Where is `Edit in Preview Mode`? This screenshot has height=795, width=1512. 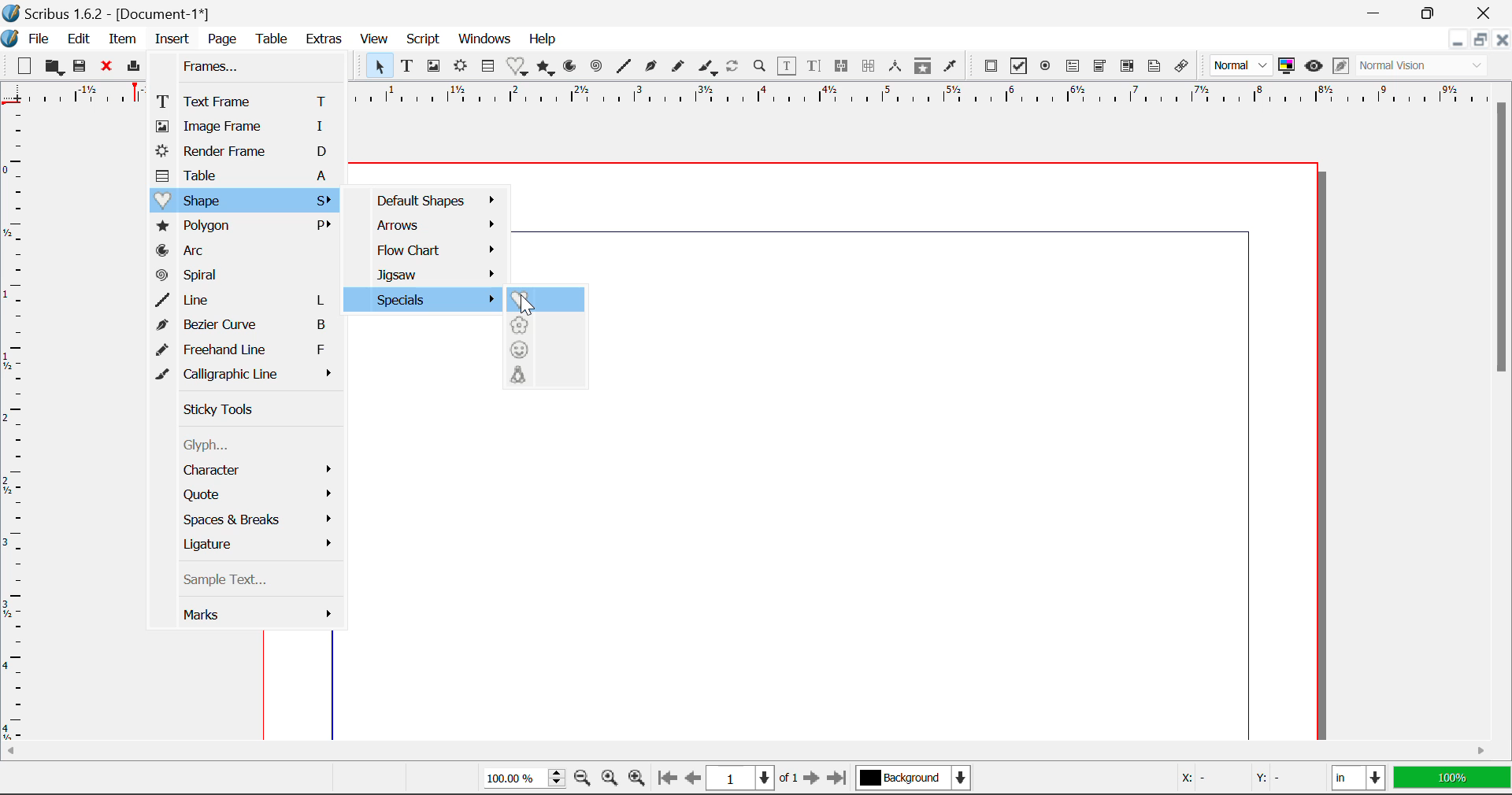 Edit in Preview Mode is located at coordinates (1340, 66).